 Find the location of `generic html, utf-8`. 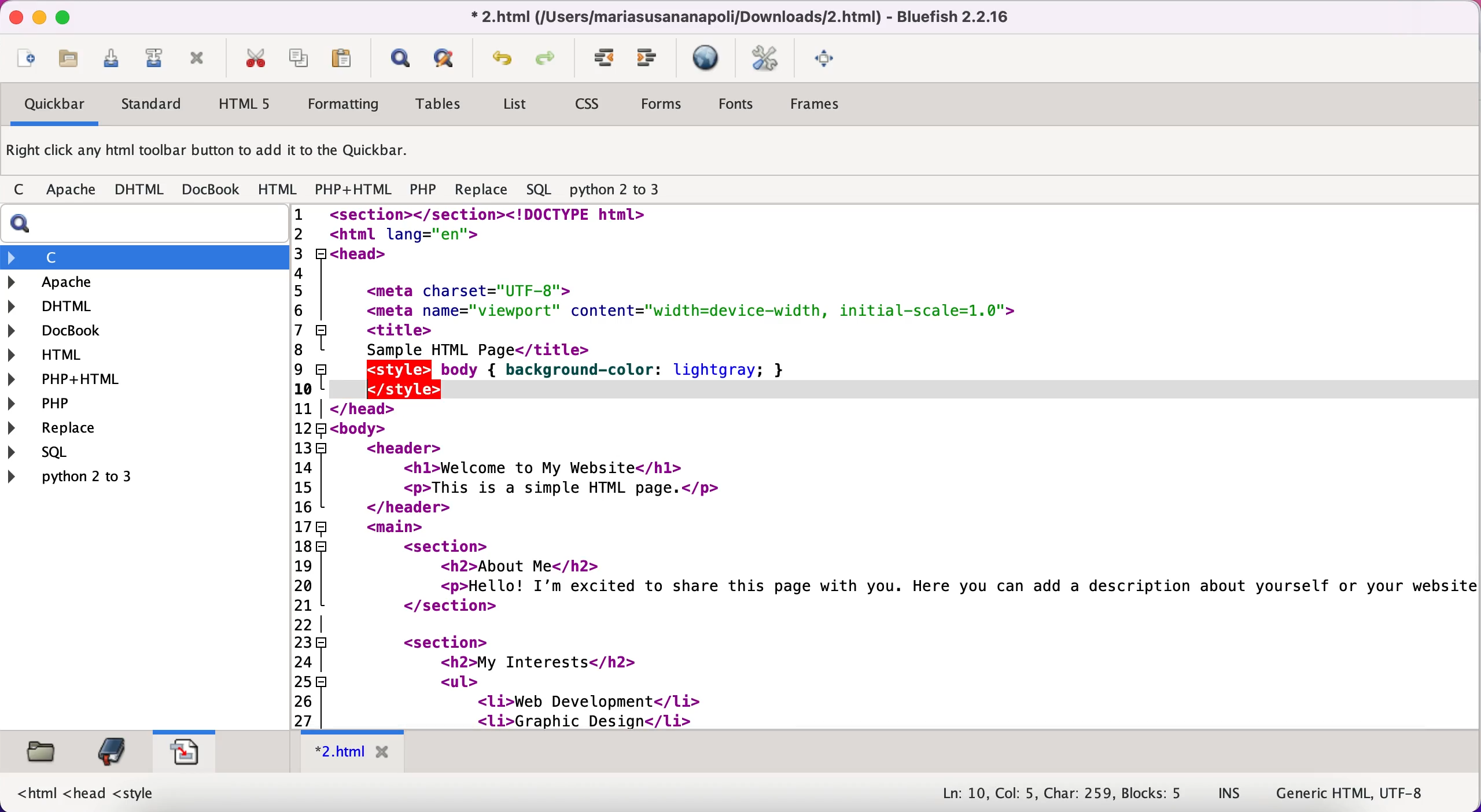

generic html, utf-8 is located at coordinates (1361, 792).